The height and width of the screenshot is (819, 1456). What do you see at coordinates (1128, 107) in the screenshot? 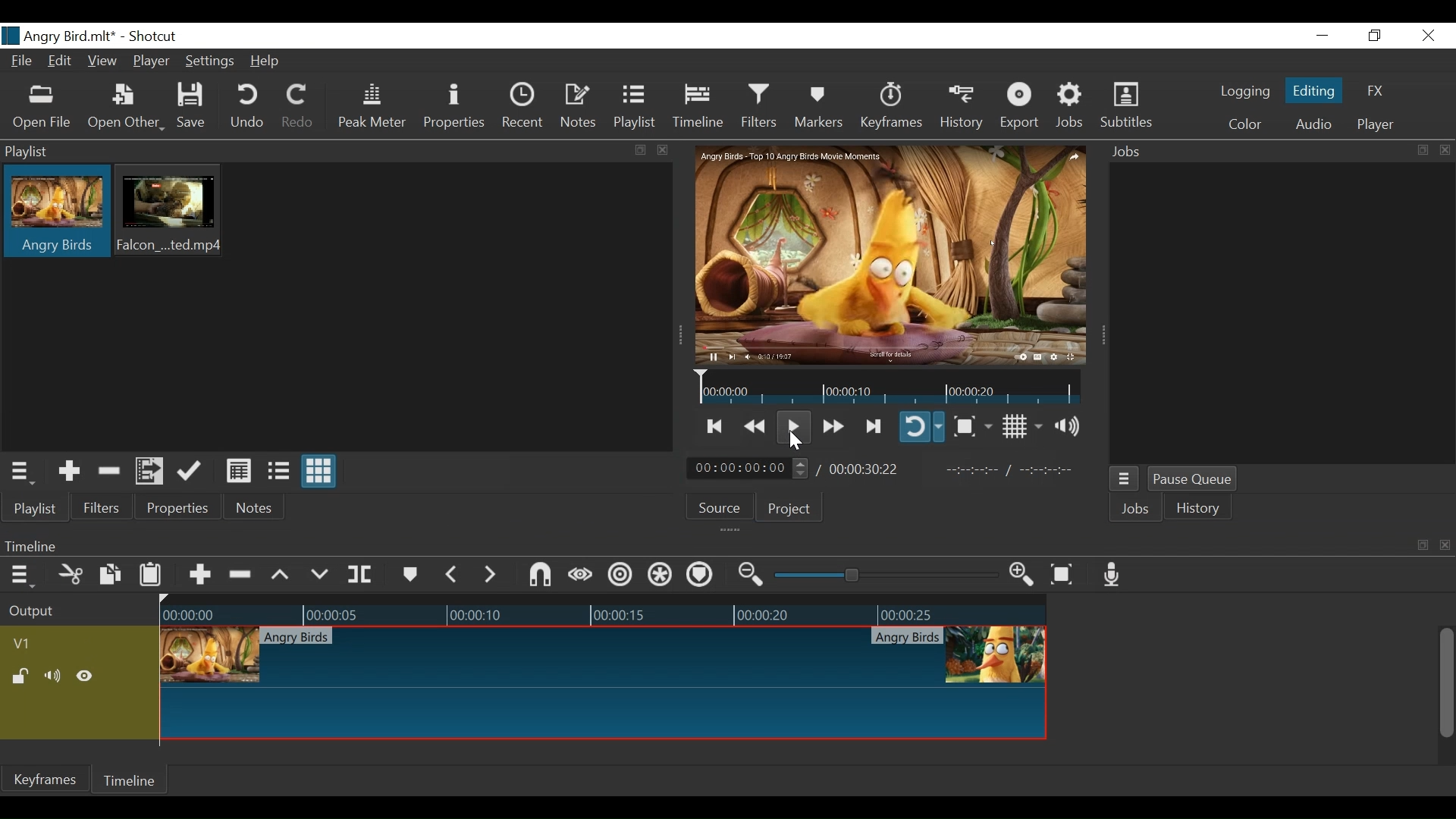
I see `Subtitles` at bounding box center [1128, 107].